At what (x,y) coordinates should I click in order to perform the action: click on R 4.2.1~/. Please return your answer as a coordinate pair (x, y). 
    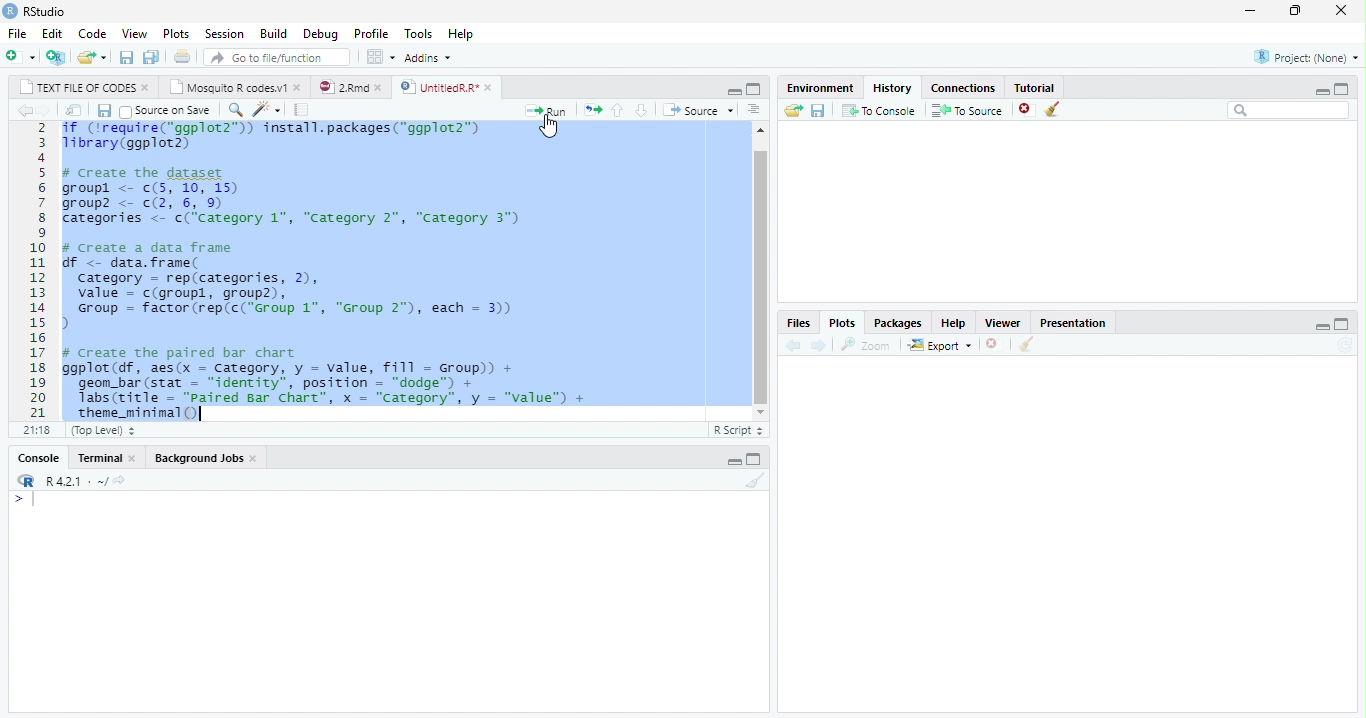
    Looking at the image, I should click on (75, 481).